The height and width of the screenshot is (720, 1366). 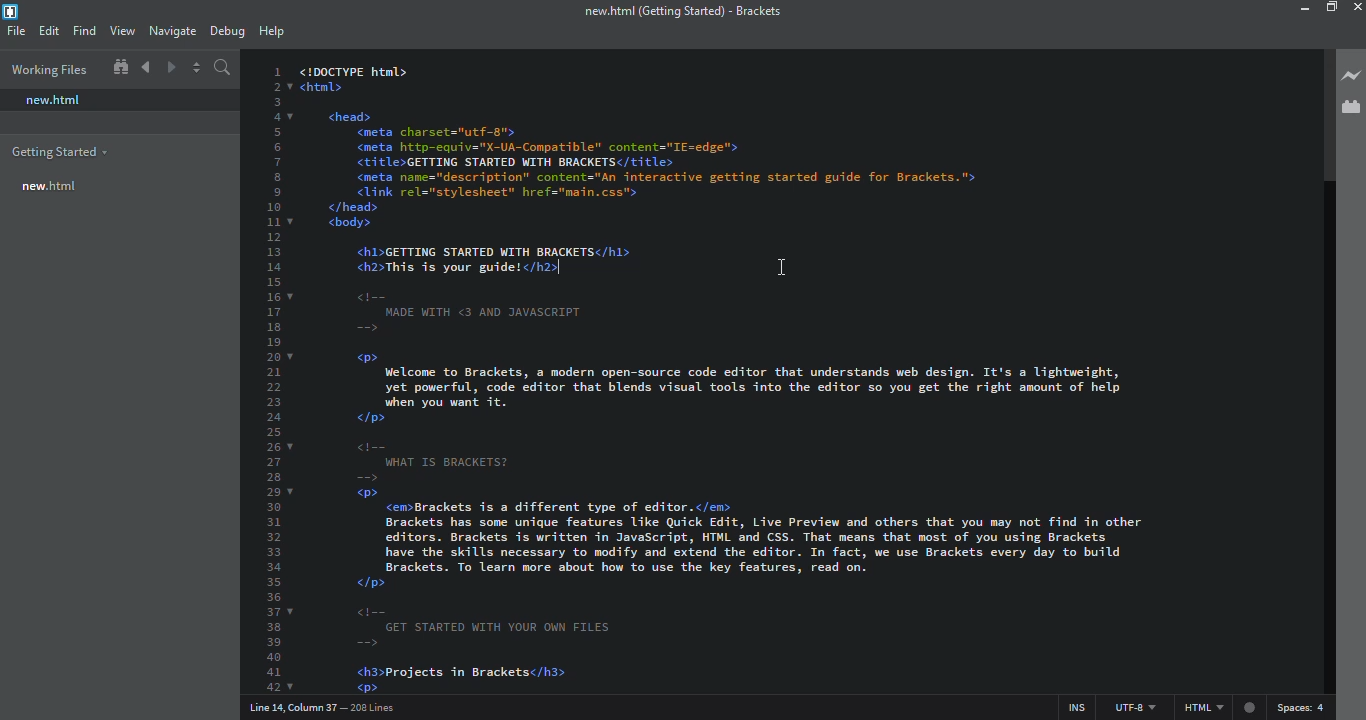 What do you see at coordinates (790, 489) in the screenshot?
I see `test code` at bounding box center [790, 489].